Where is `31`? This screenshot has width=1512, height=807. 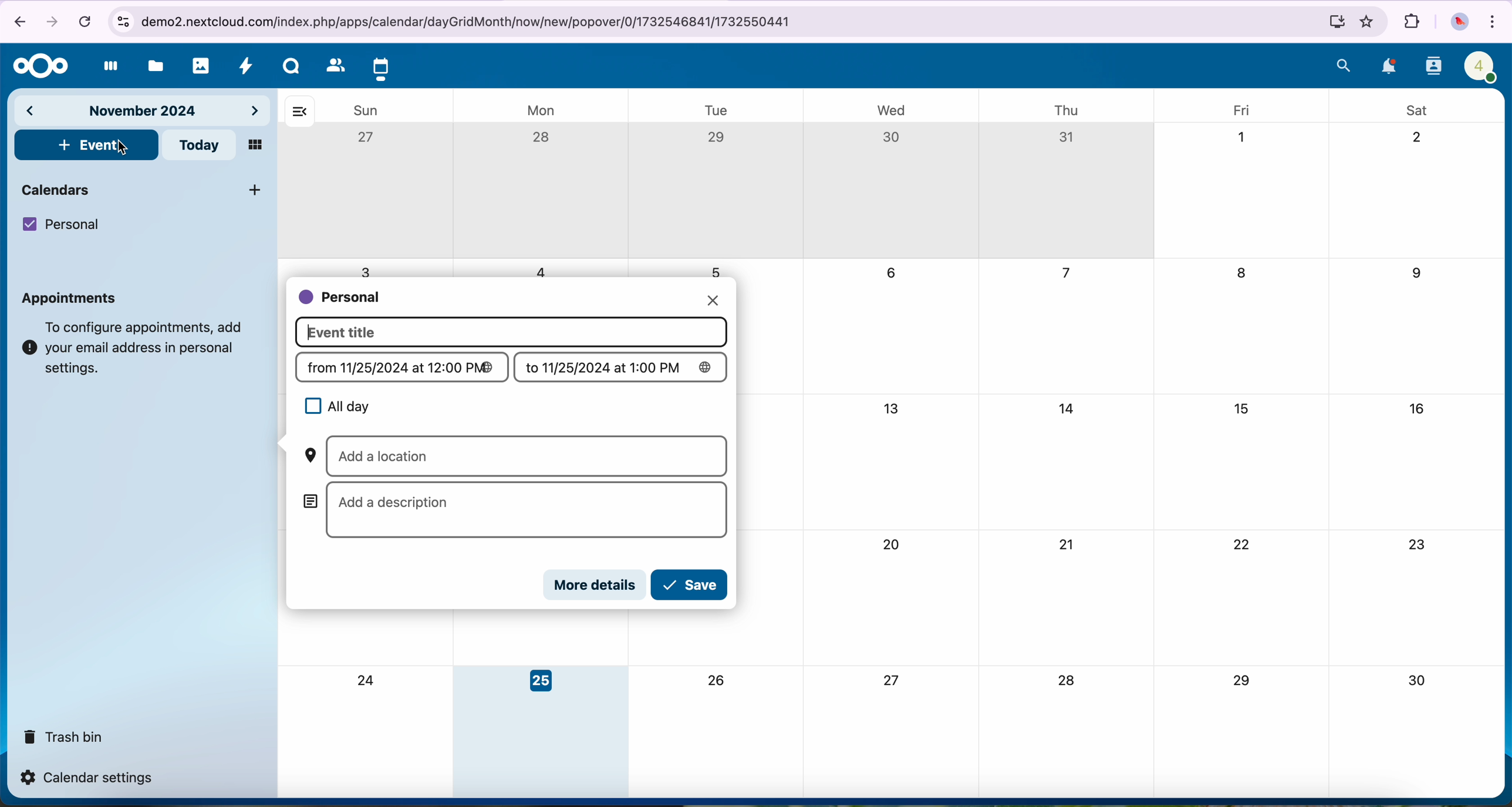 31 is located at coordinates (1066, 139).